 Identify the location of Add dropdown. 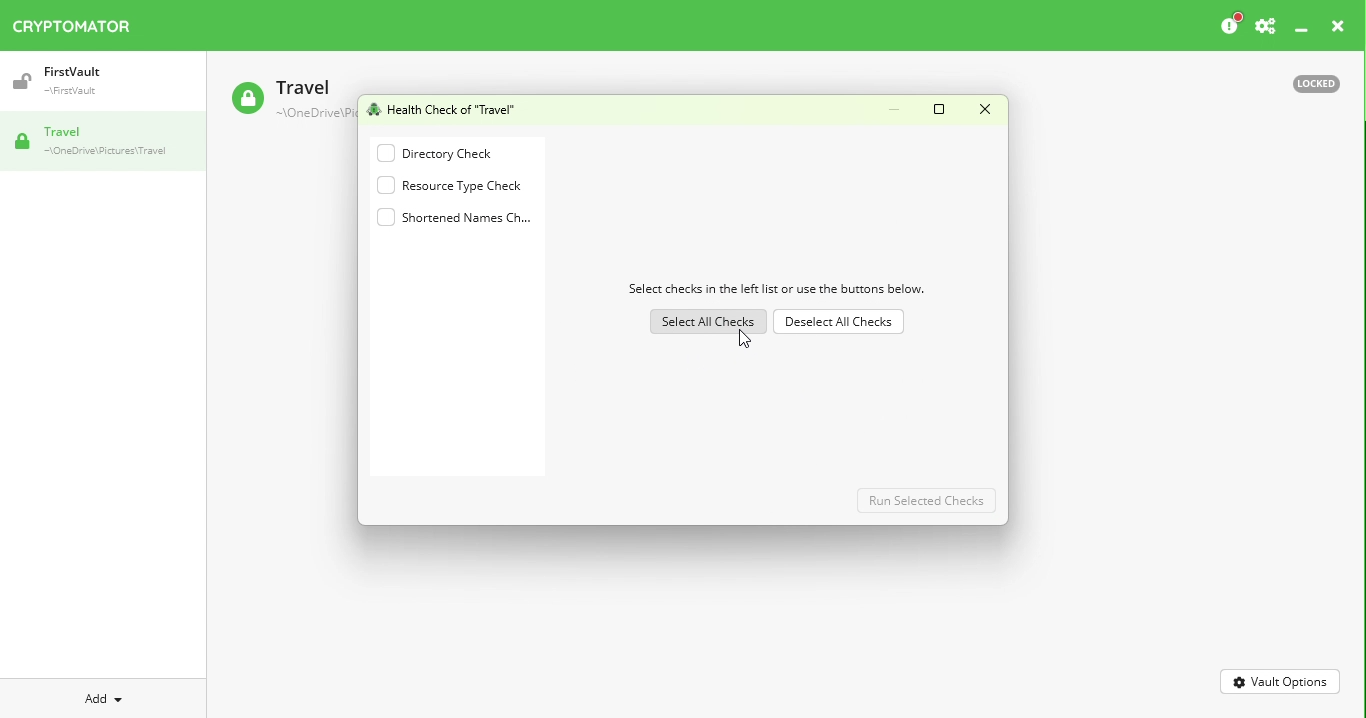
(108, 697).